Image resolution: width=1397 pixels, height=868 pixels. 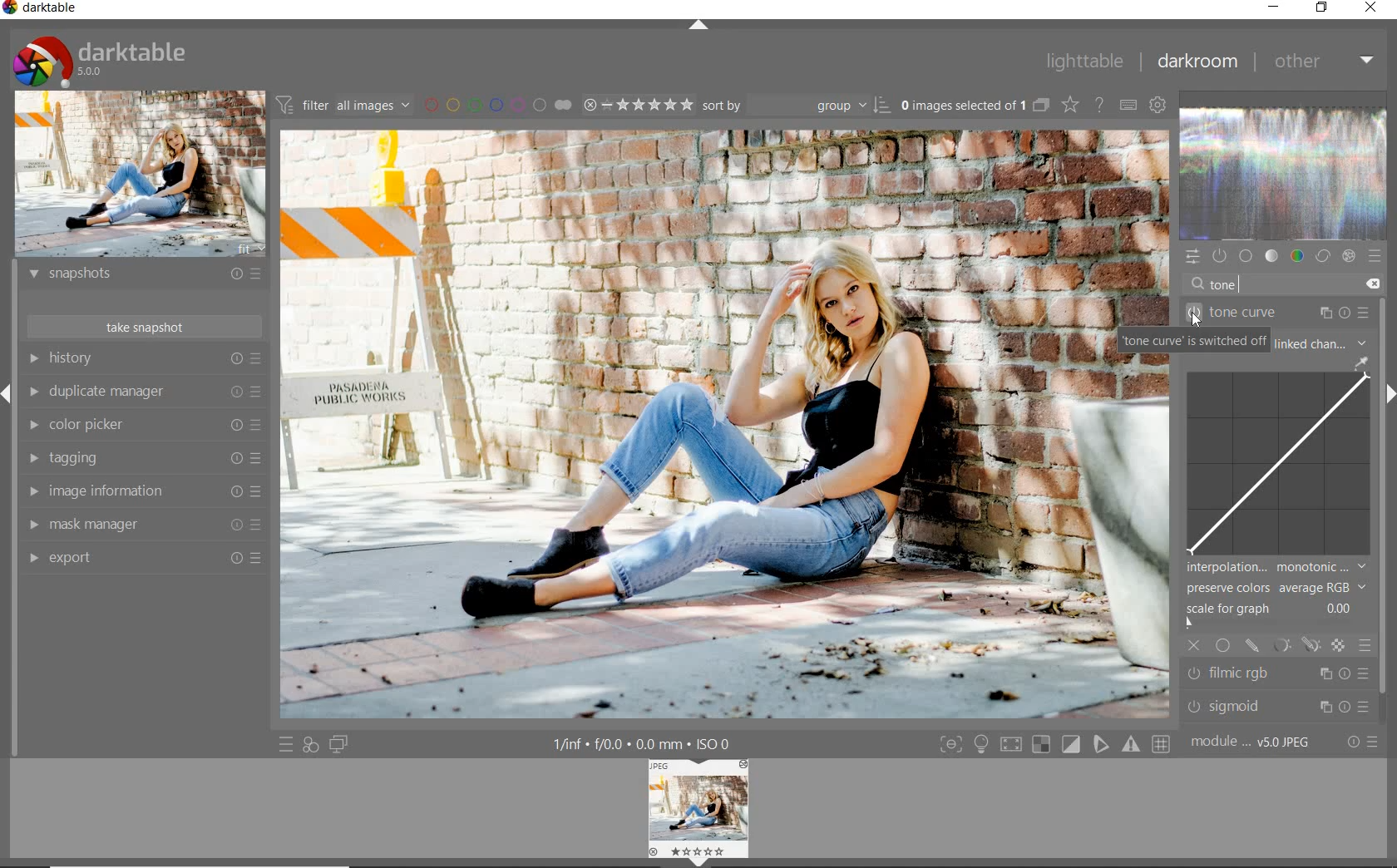 What do you see at coordinates (1322, 257) in the screenshot?
I see `correct` at bounding box center [1322, 257].